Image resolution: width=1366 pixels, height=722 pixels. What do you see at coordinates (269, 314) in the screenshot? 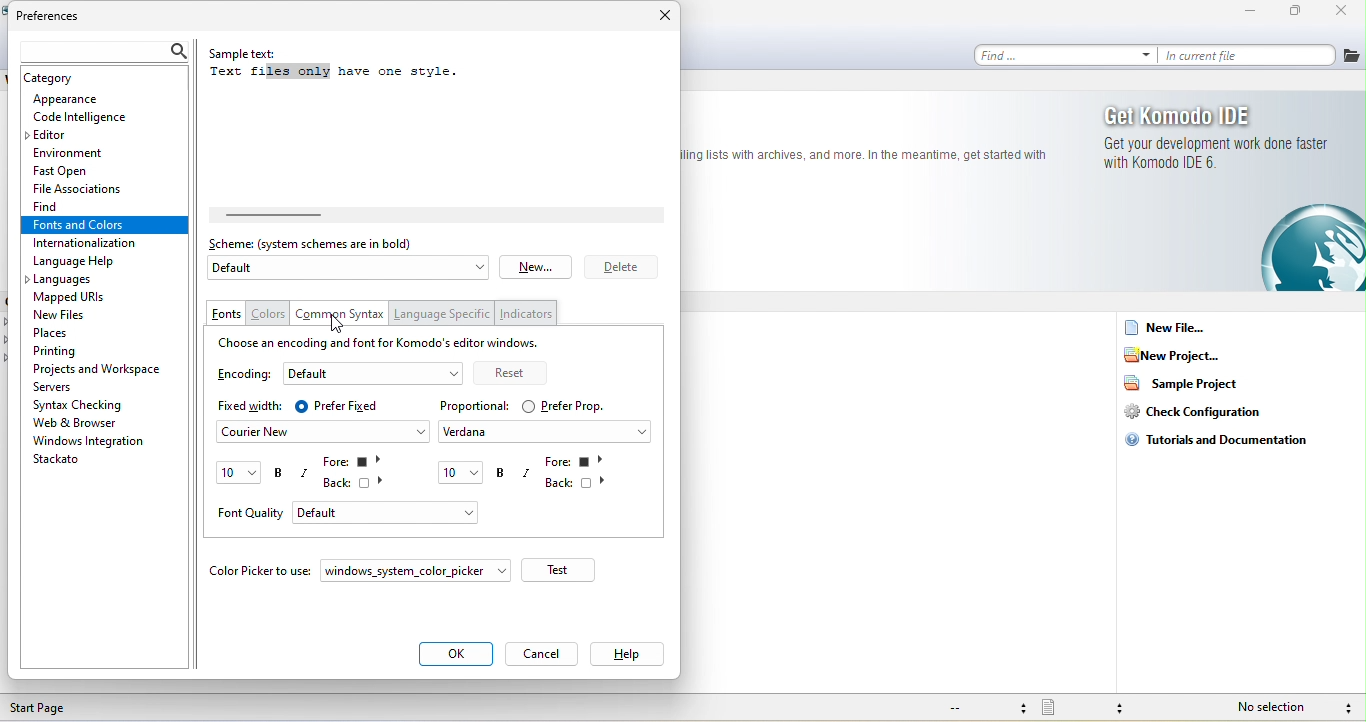
I see `colors` at bounding box center [269, 314].